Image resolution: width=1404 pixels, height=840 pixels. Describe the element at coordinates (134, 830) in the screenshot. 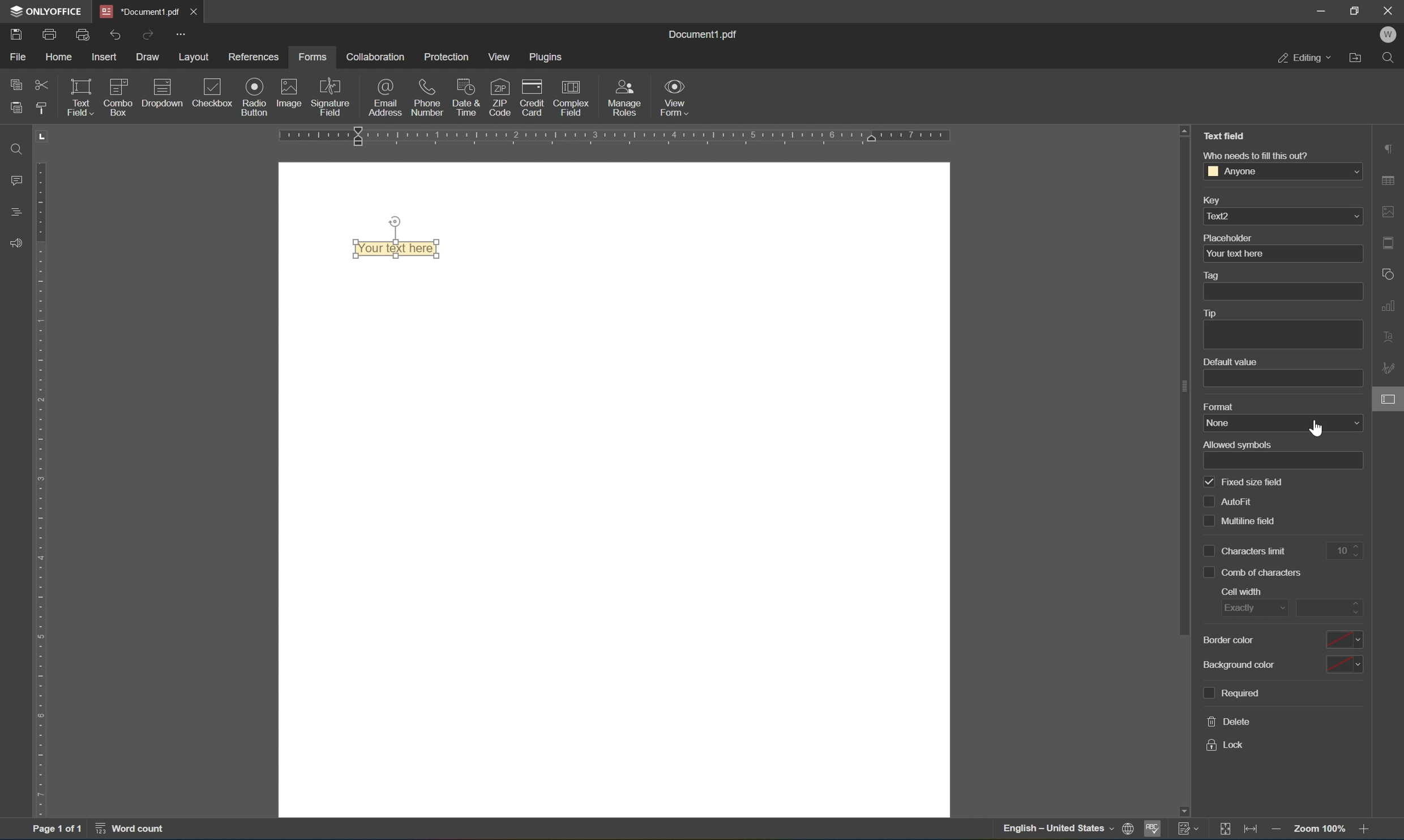

I see `word count` at that location.